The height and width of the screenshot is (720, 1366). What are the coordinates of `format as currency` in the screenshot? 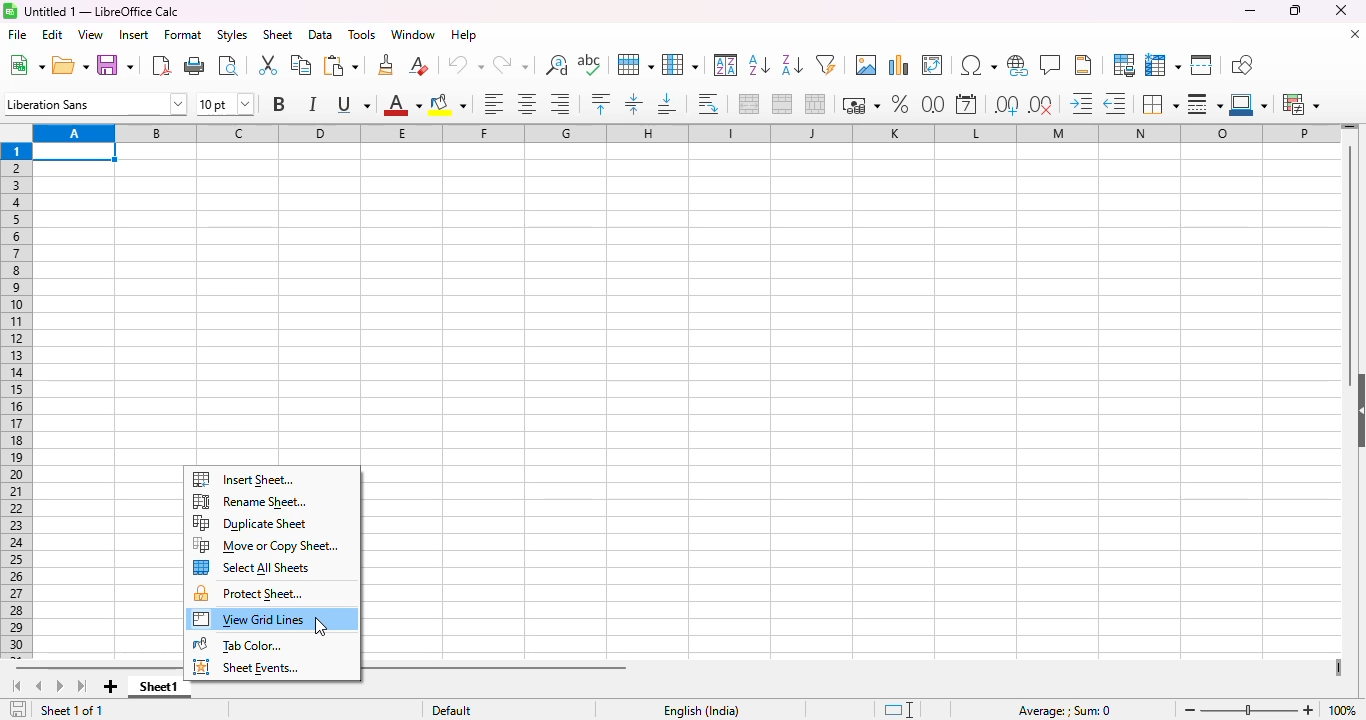 It's located at (861, 105).